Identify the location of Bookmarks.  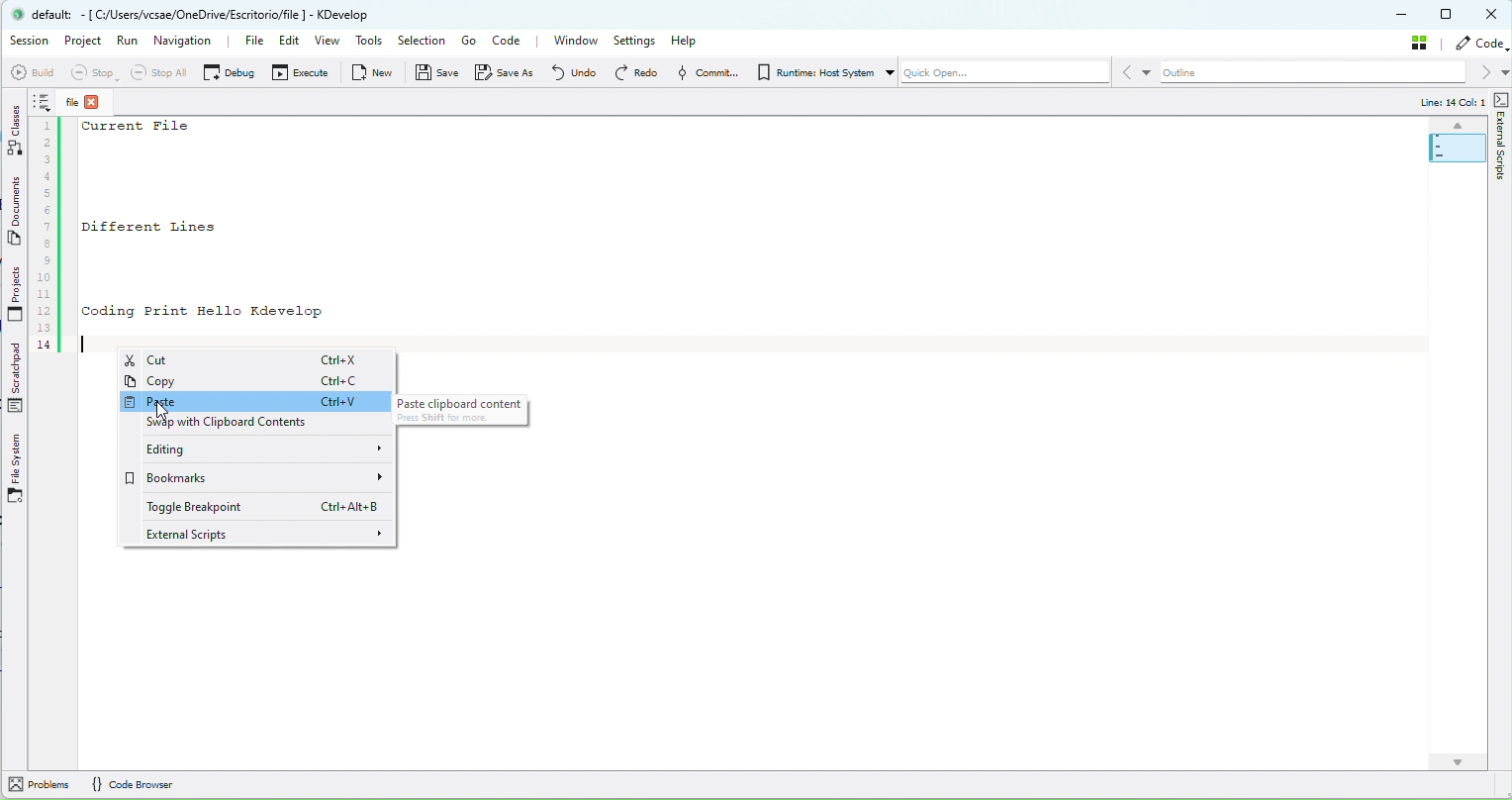
(260, 479).